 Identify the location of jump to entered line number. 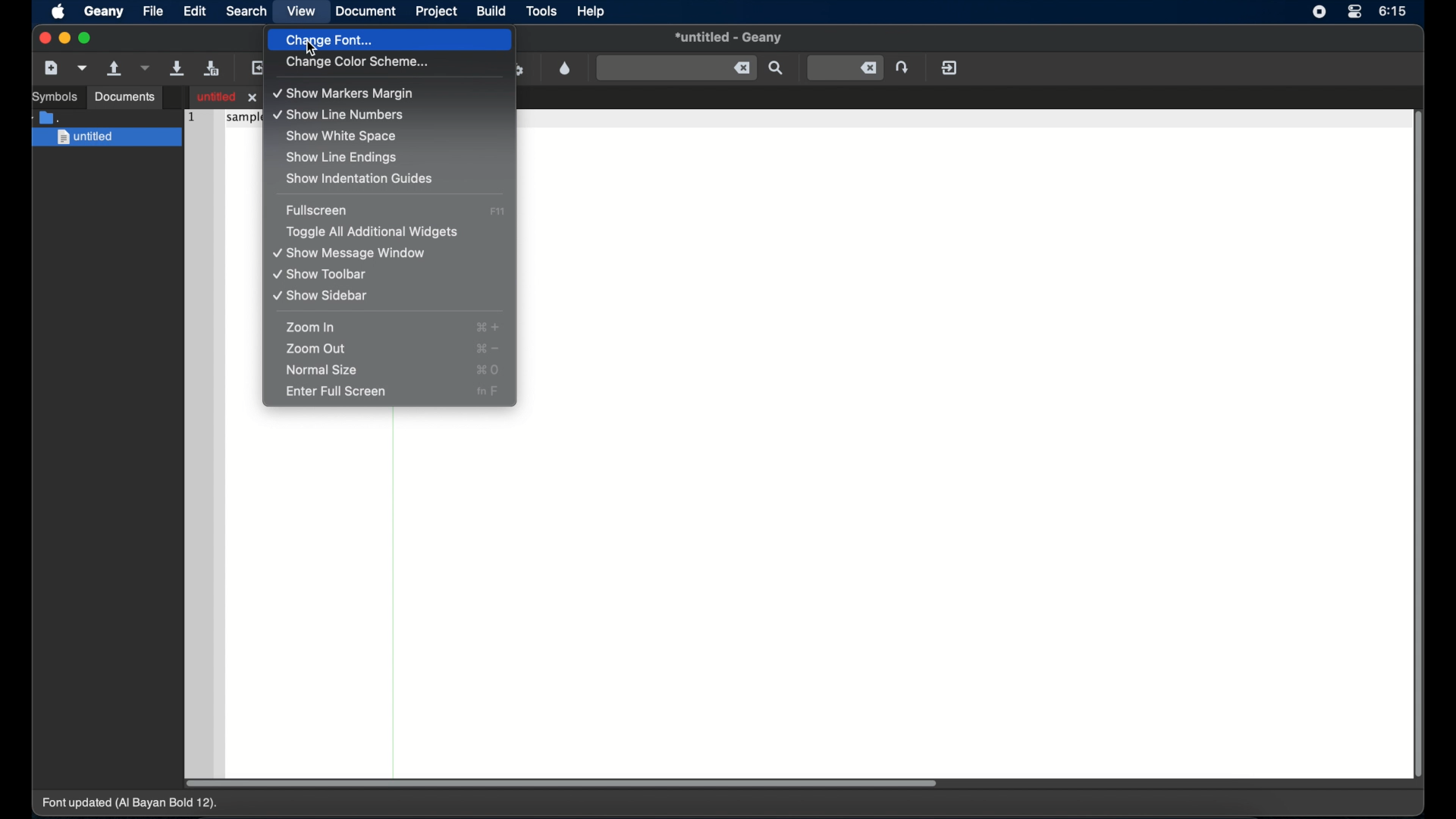
(846, 68).